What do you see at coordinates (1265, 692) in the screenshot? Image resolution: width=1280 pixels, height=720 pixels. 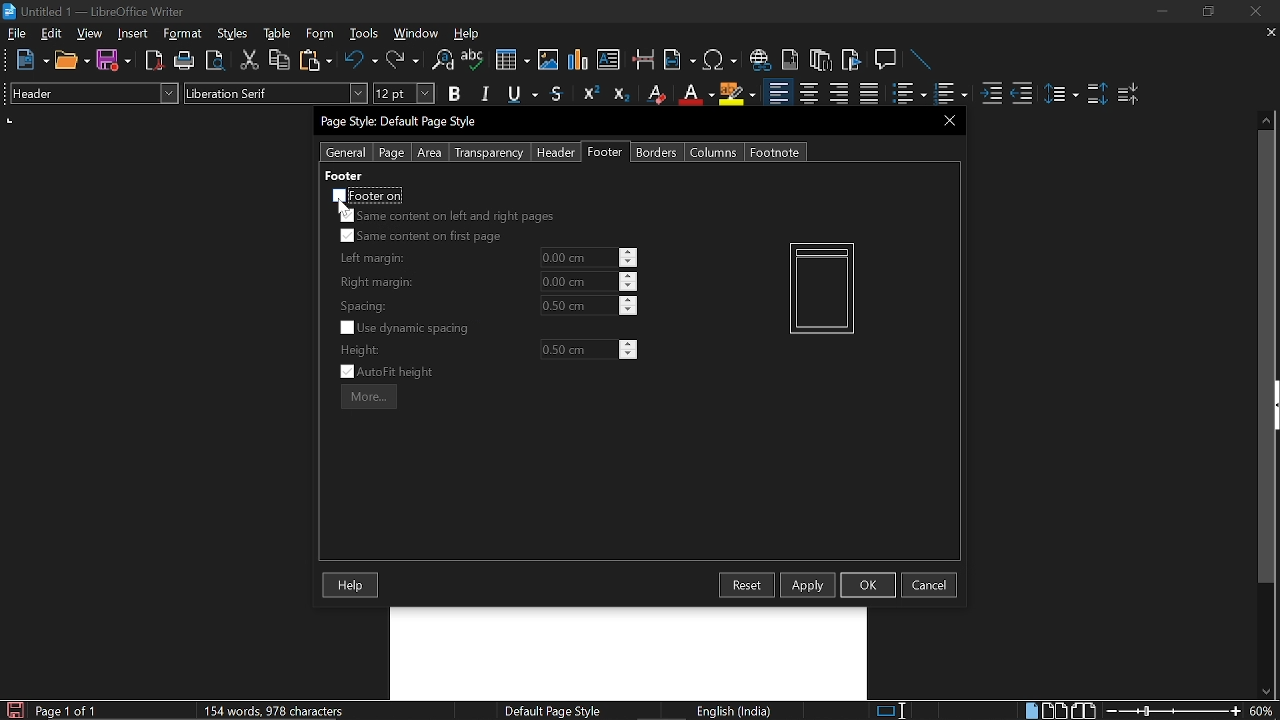 I see `Move down` at bounding box center [1265, 692].